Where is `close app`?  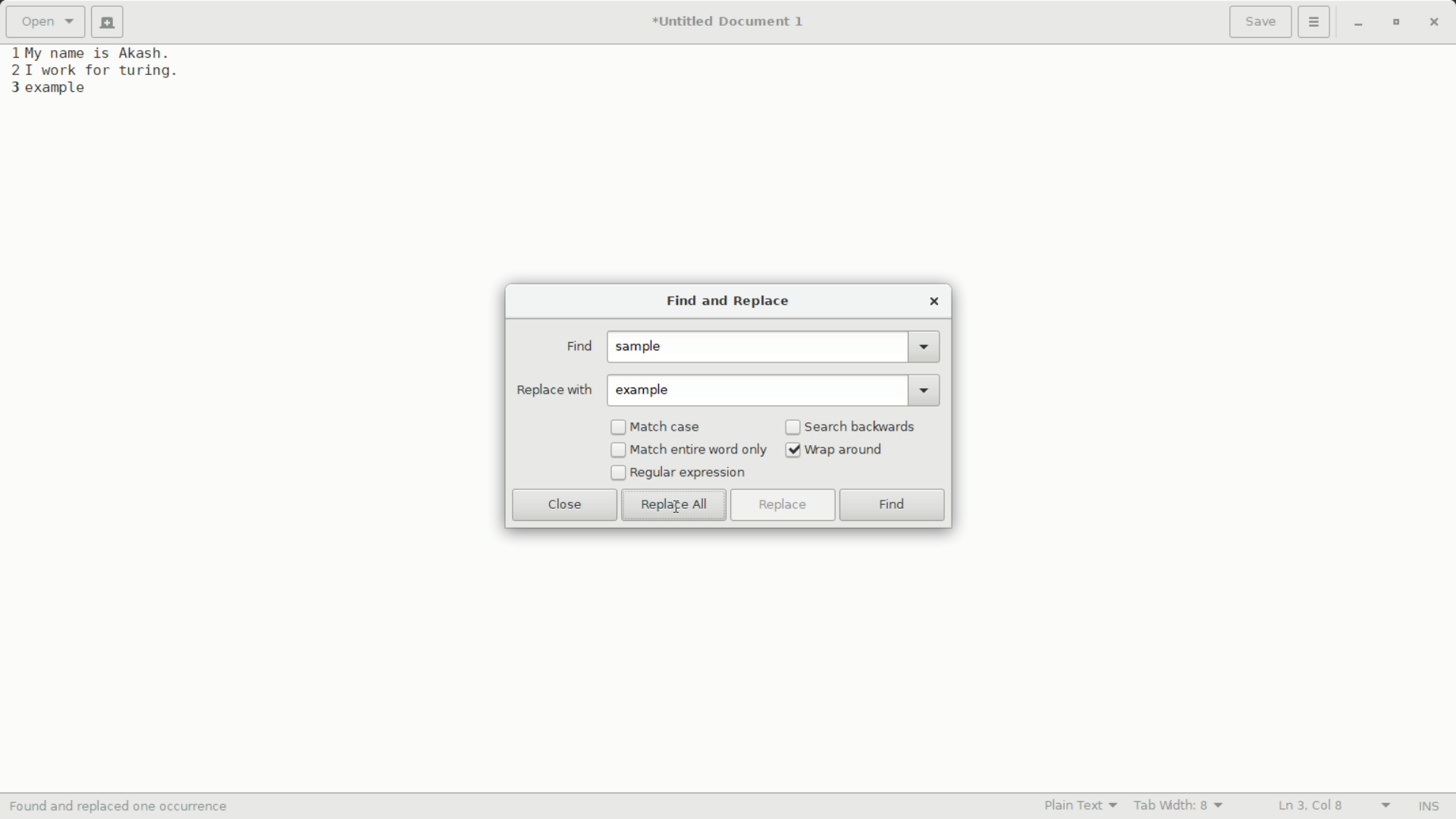
close app is located at coordinates (1434, 22).